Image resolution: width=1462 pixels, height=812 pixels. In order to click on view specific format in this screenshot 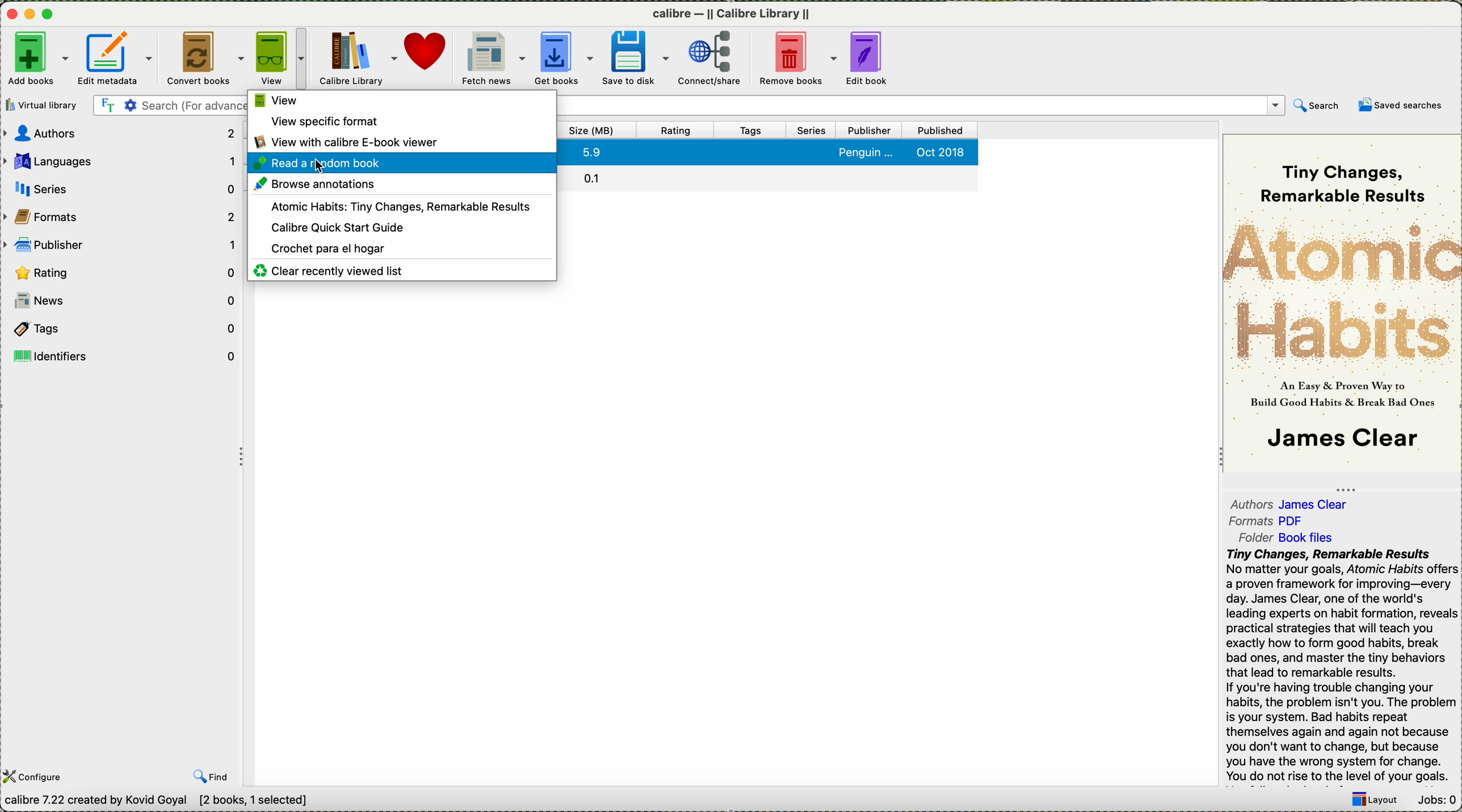, I will do `click(330, 123)`.